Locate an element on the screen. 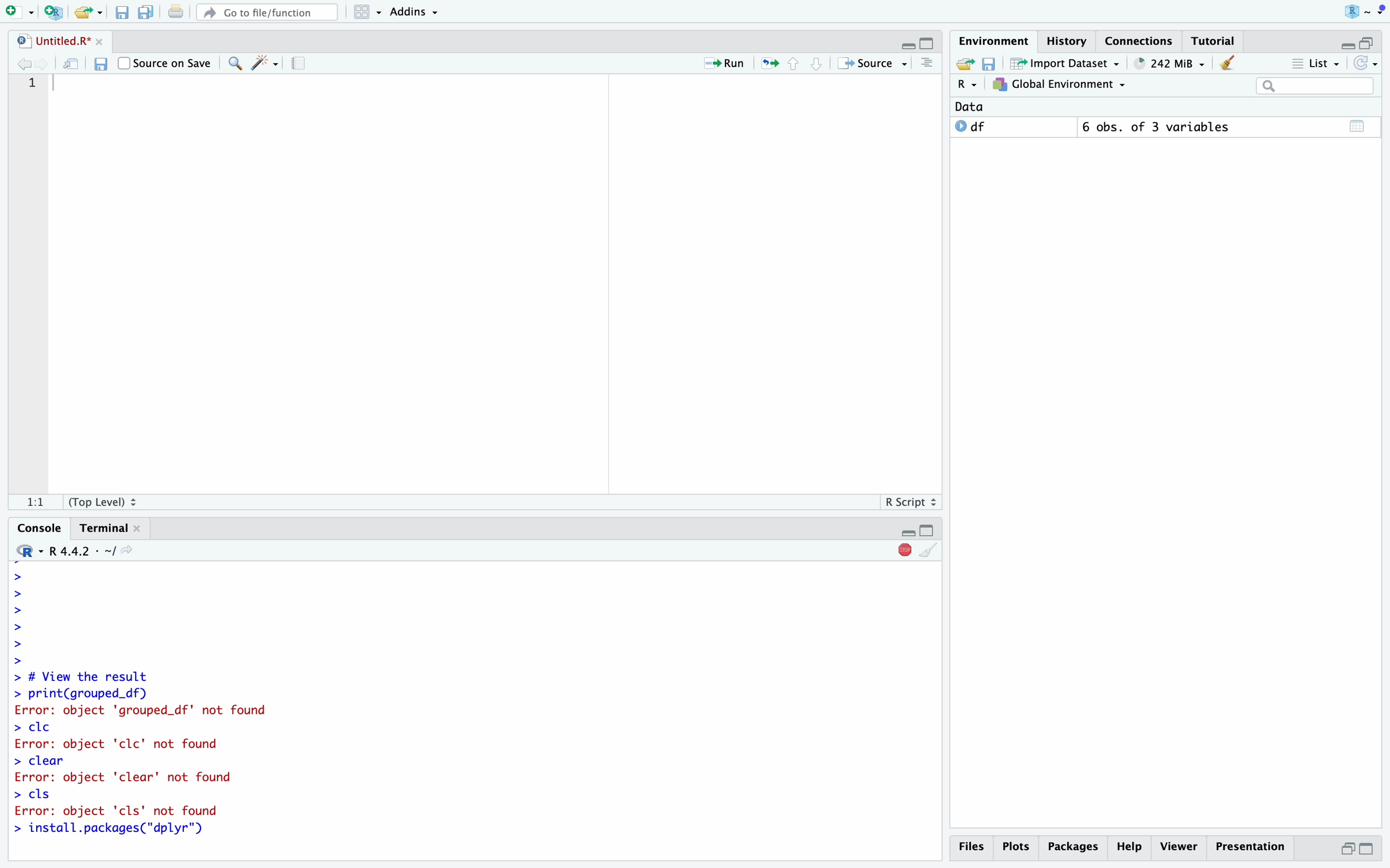 The width and height of the screenshot is (1390, 868). Console is located at coordinates (40, 528).